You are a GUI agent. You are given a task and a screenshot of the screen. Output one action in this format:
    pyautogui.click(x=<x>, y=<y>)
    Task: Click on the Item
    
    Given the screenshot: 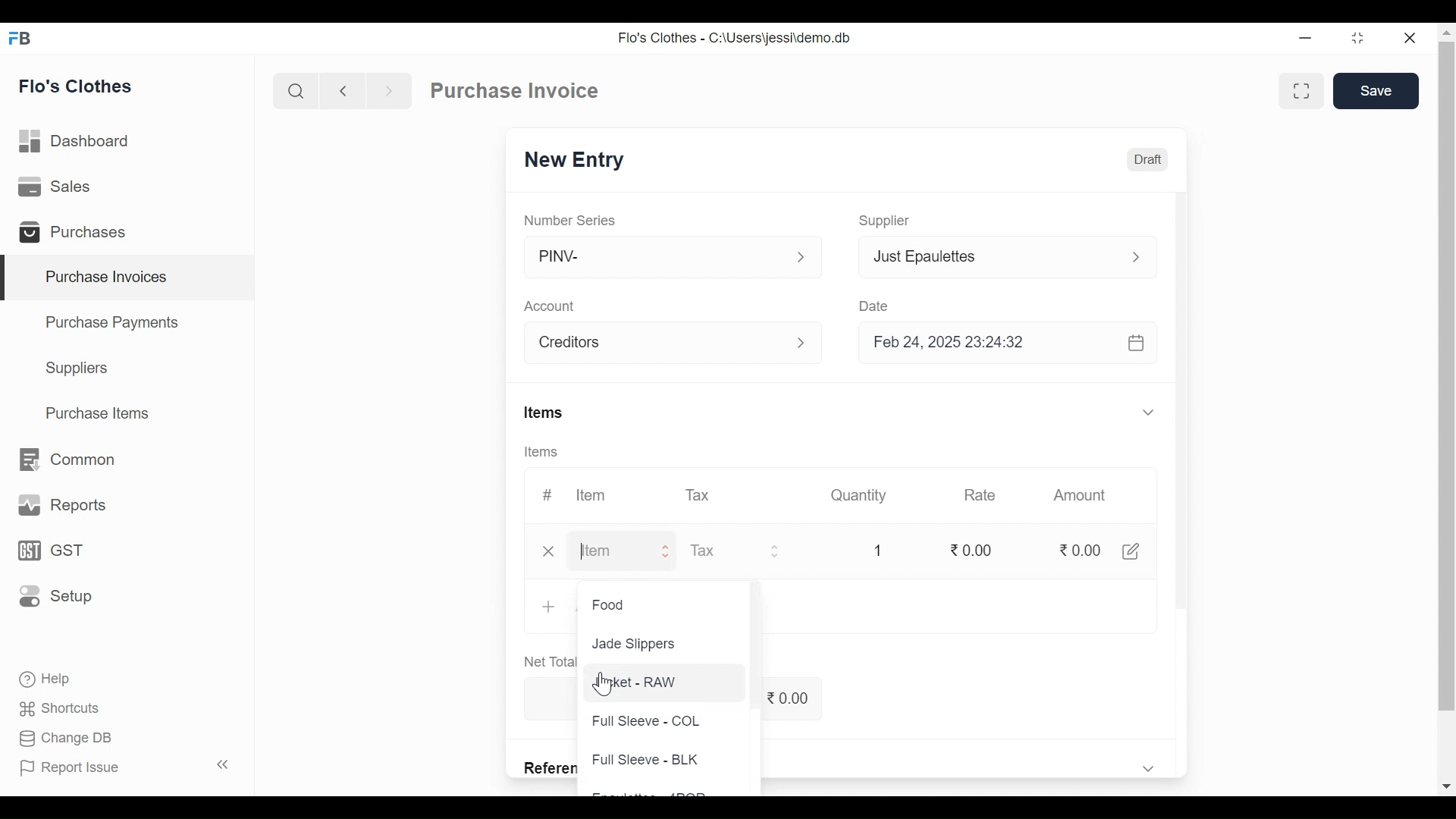 What is the action you would take?
    pyautogui.click(x=597, y=494)
    